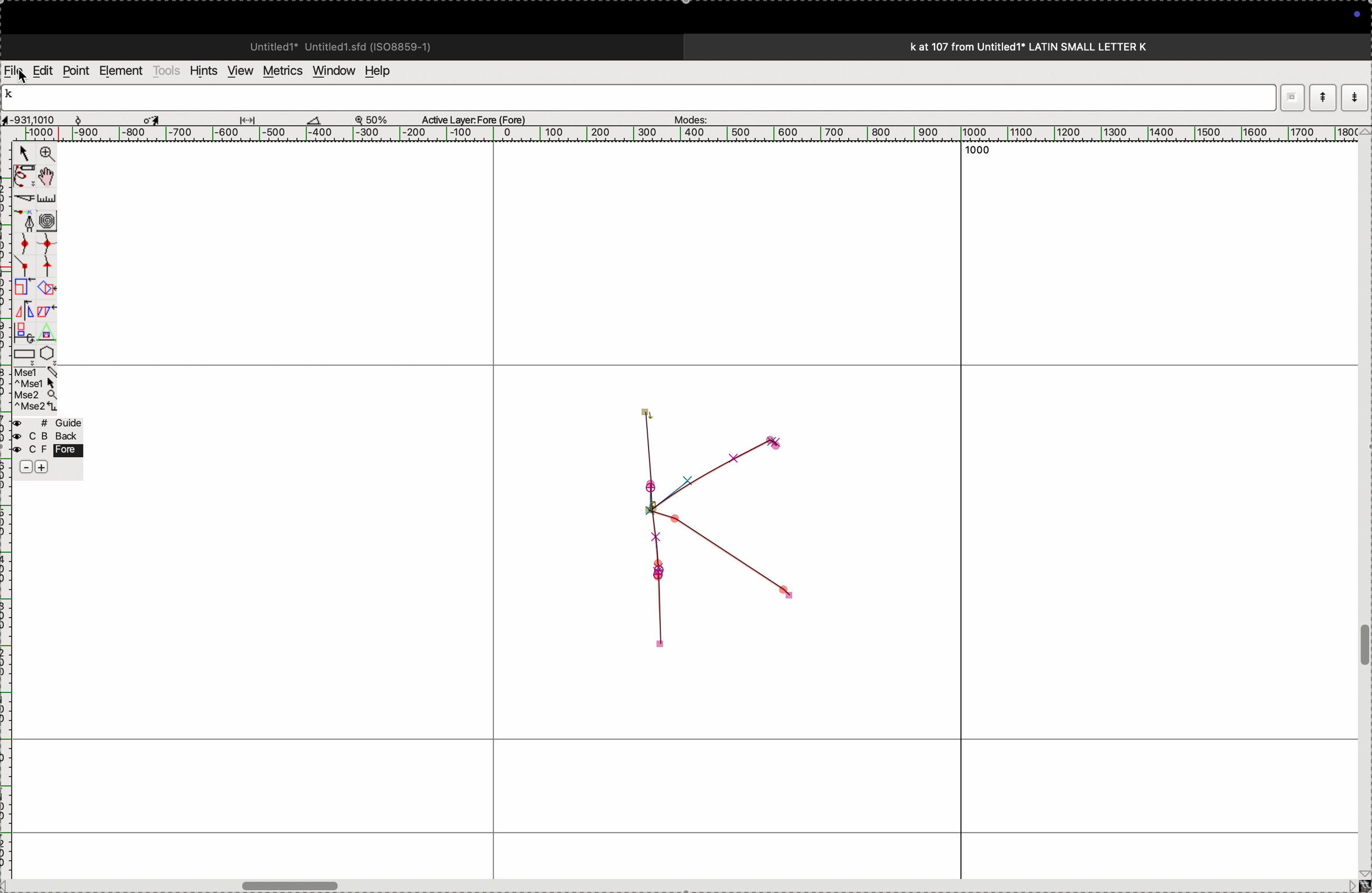  I want to click on mirror, so click(24, 320).